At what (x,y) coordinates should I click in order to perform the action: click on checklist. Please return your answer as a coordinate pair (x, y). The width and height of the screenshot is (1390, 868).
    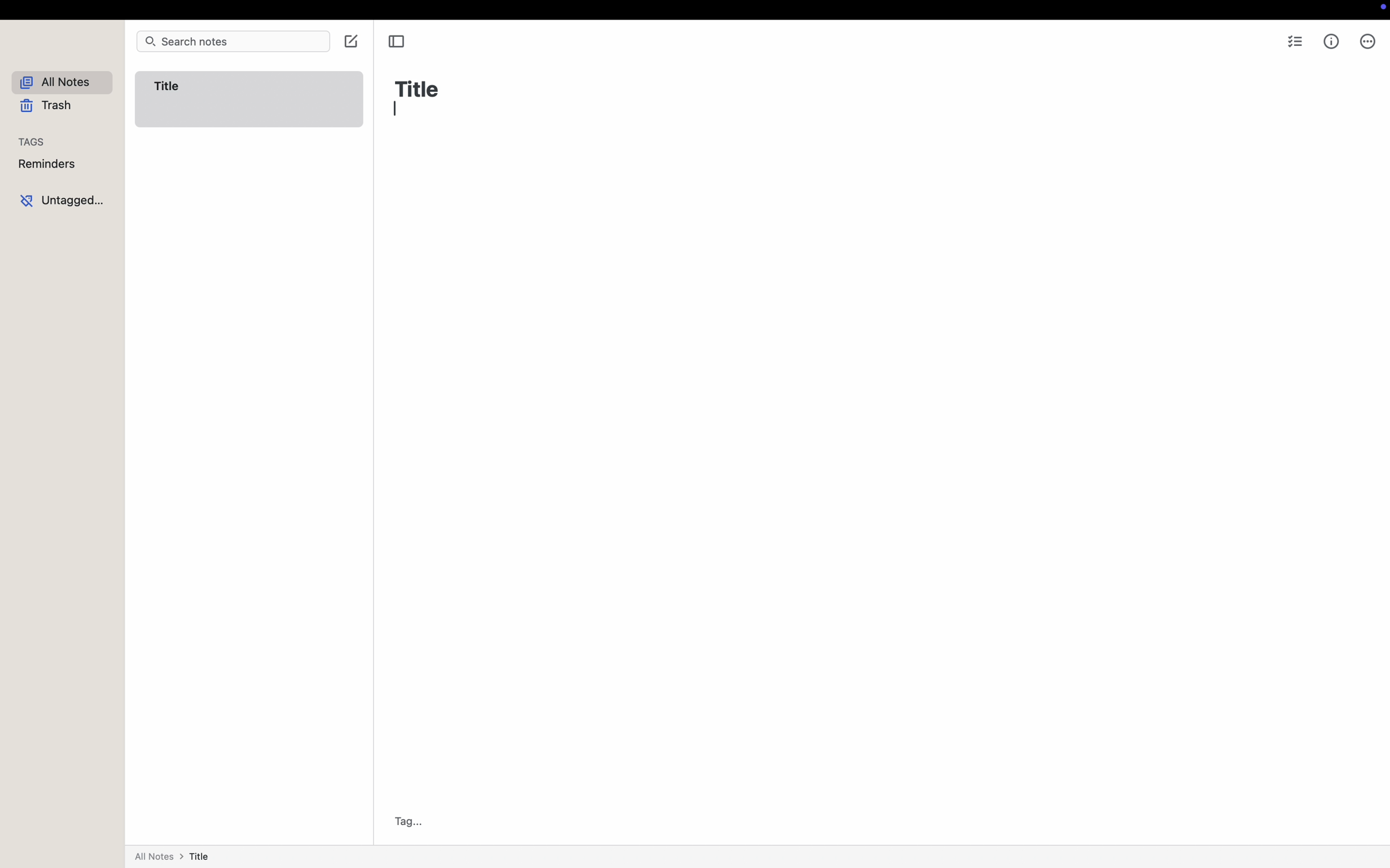
    Looking at the image, I should click on (1292, 44).